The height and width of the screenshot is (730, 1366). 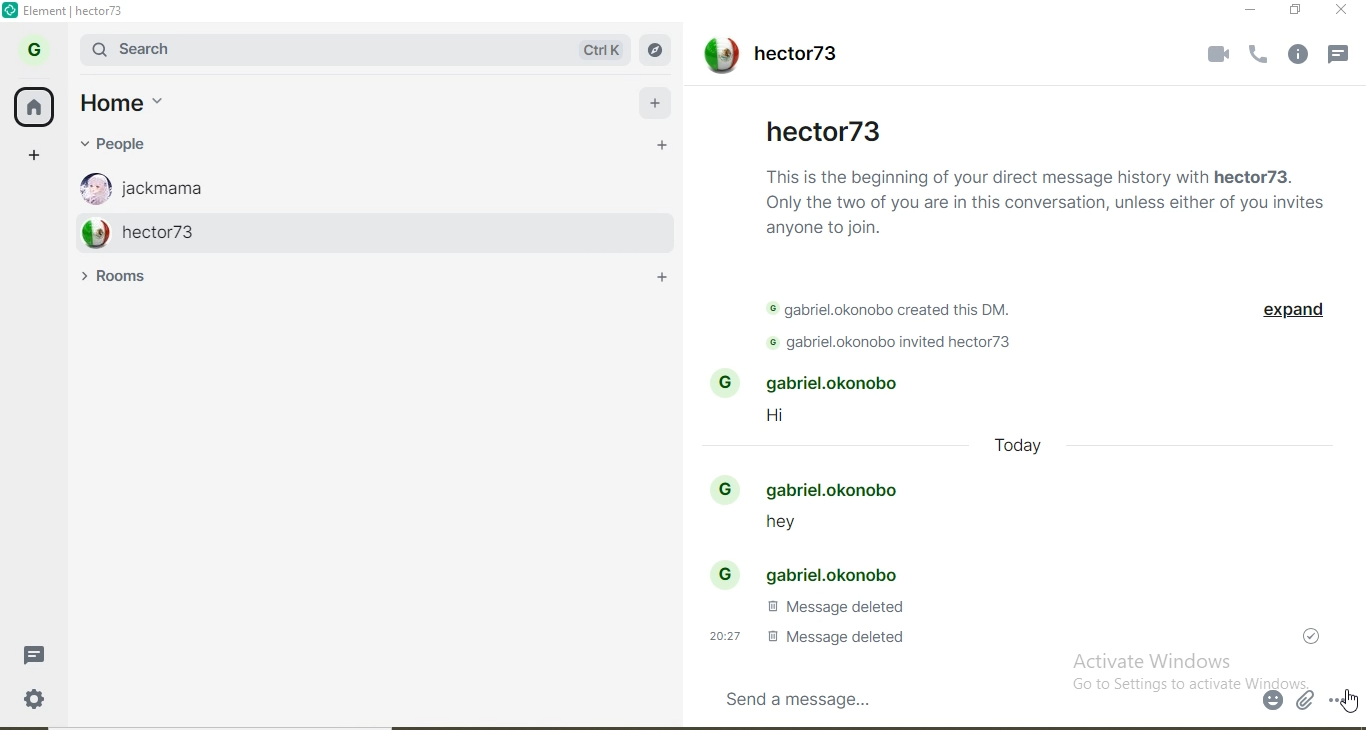 I want to click on gabriel.okonobo, so click(x=816, y=489).